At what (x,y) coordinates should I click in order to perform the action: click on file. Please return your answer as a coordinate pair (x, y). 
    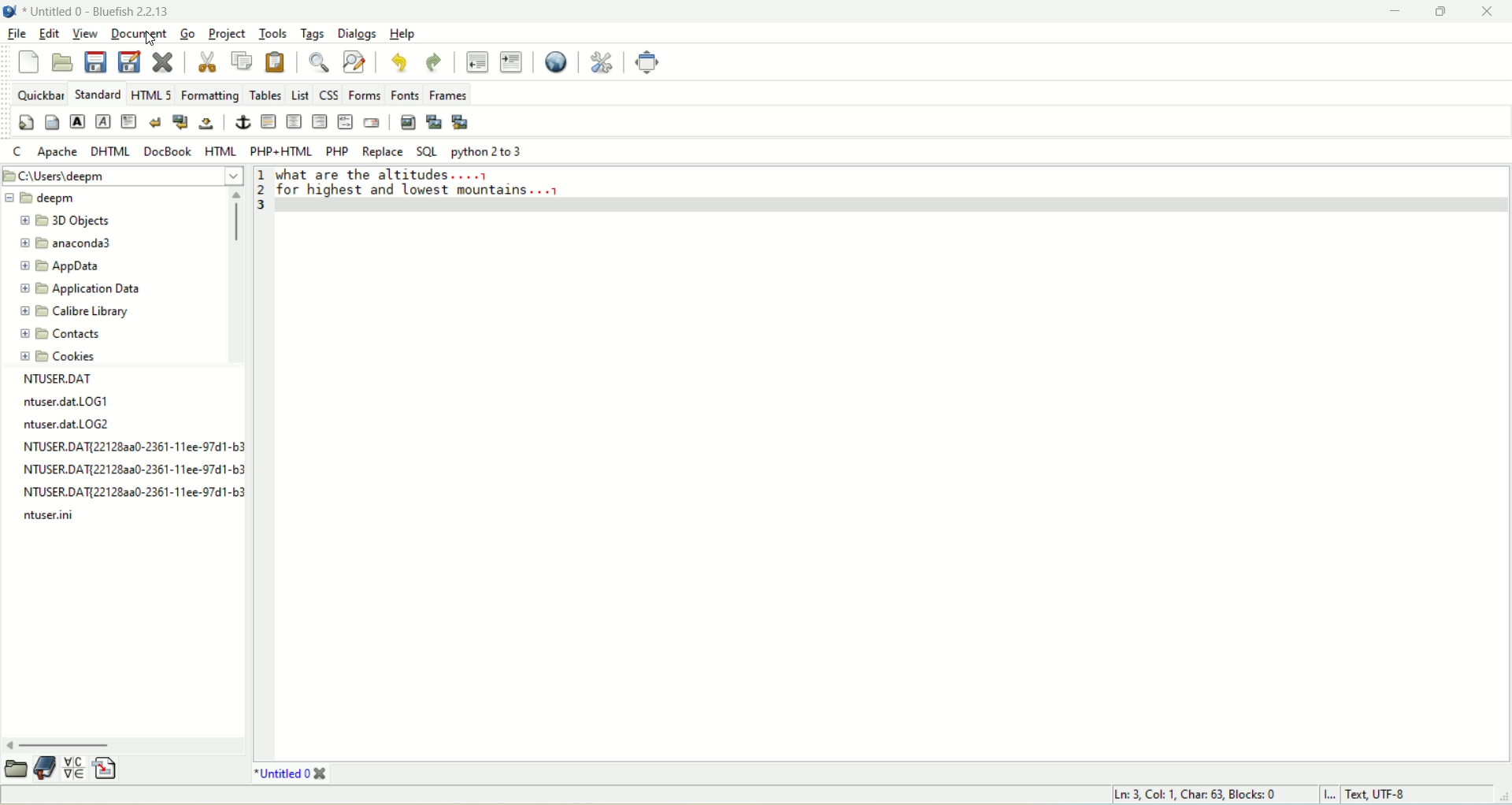
    Looking at the image, I should click on (19, 35).